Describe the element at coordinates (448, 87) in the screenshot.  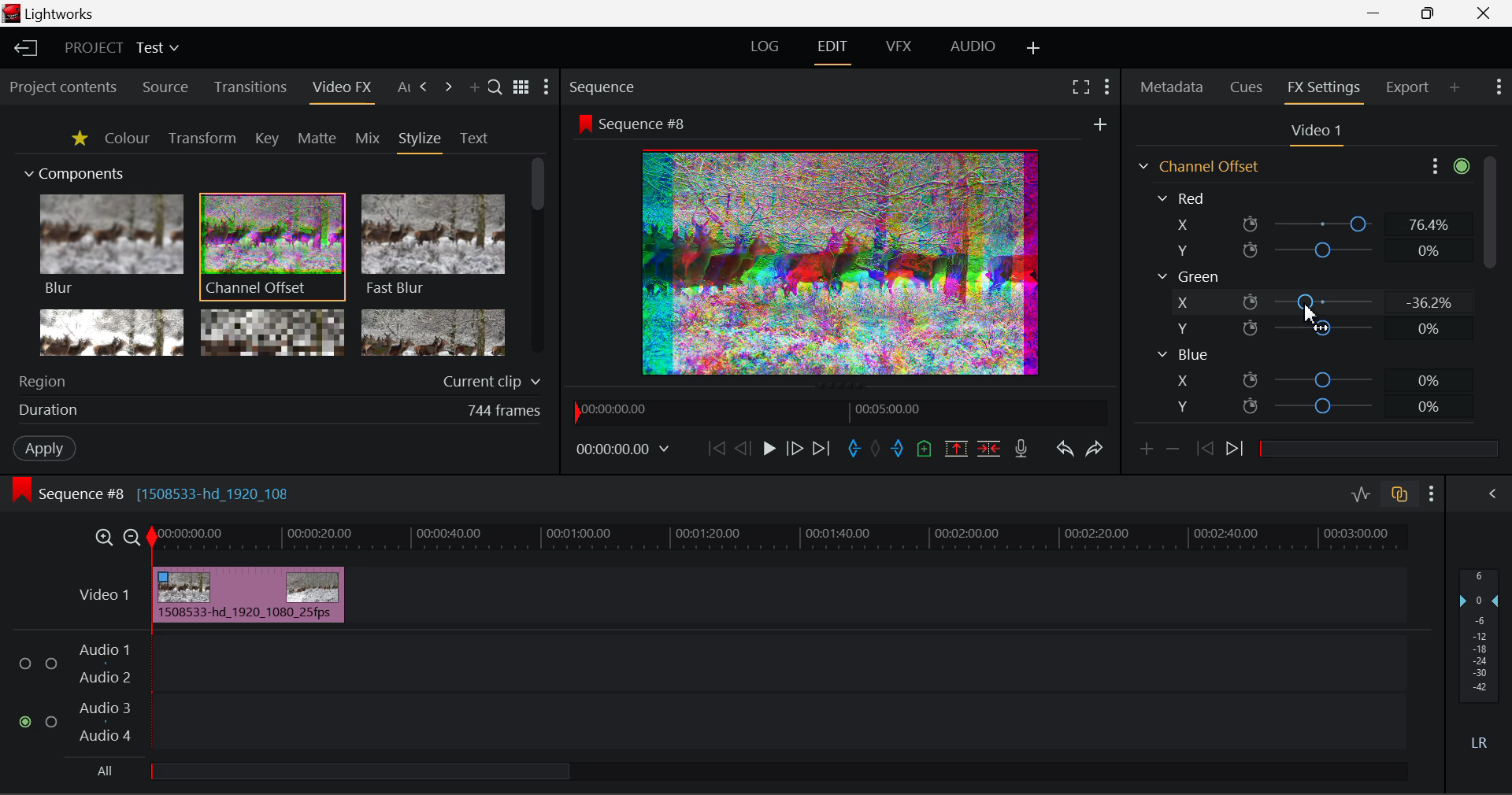
I see `Next Tab` at that location.